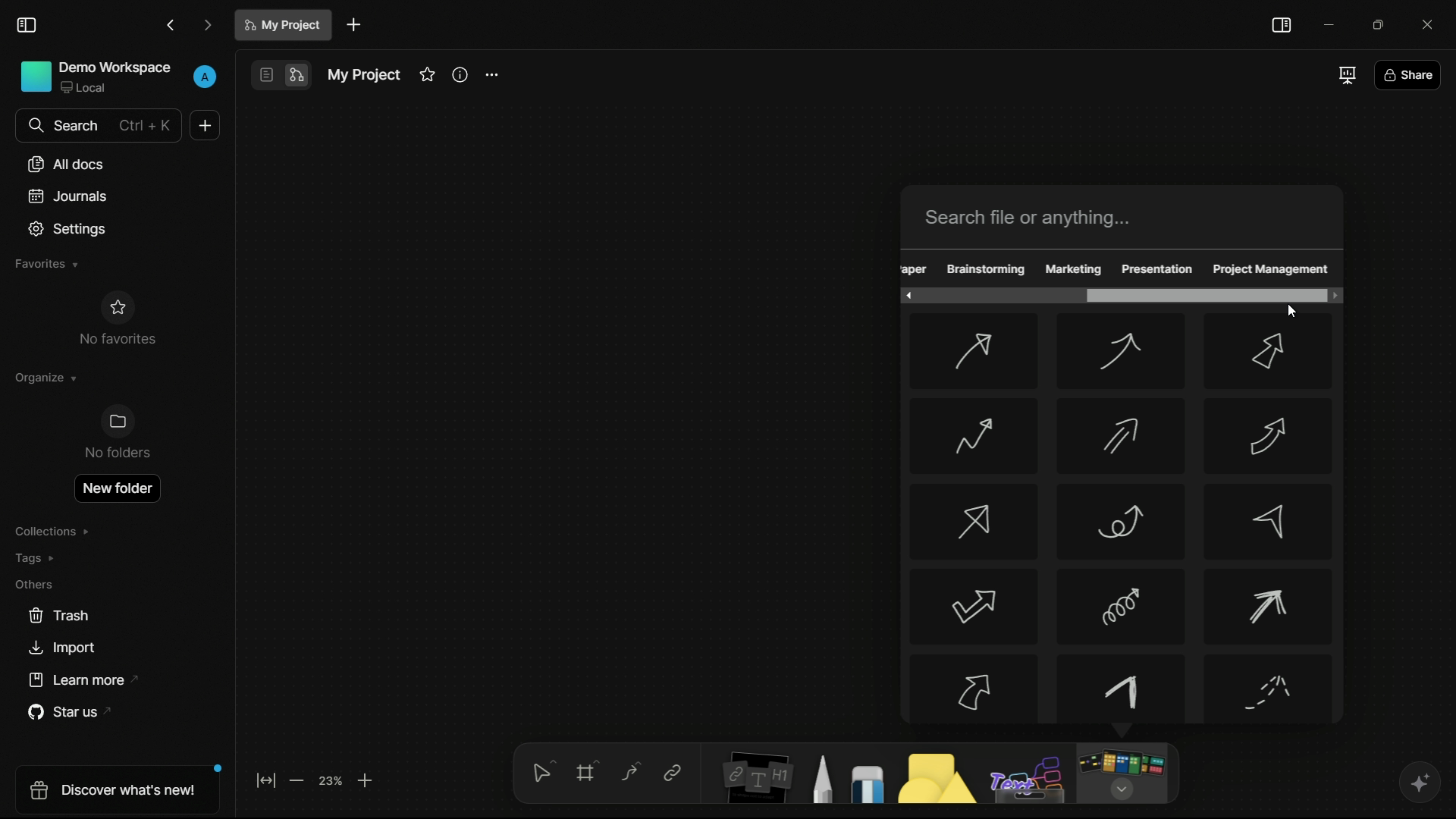 This screenshot has width=1456, height=819. What do you see at coordinates (1121, 774) in the screenshot?
I see `more tools` at bounding box center [1121, 774].